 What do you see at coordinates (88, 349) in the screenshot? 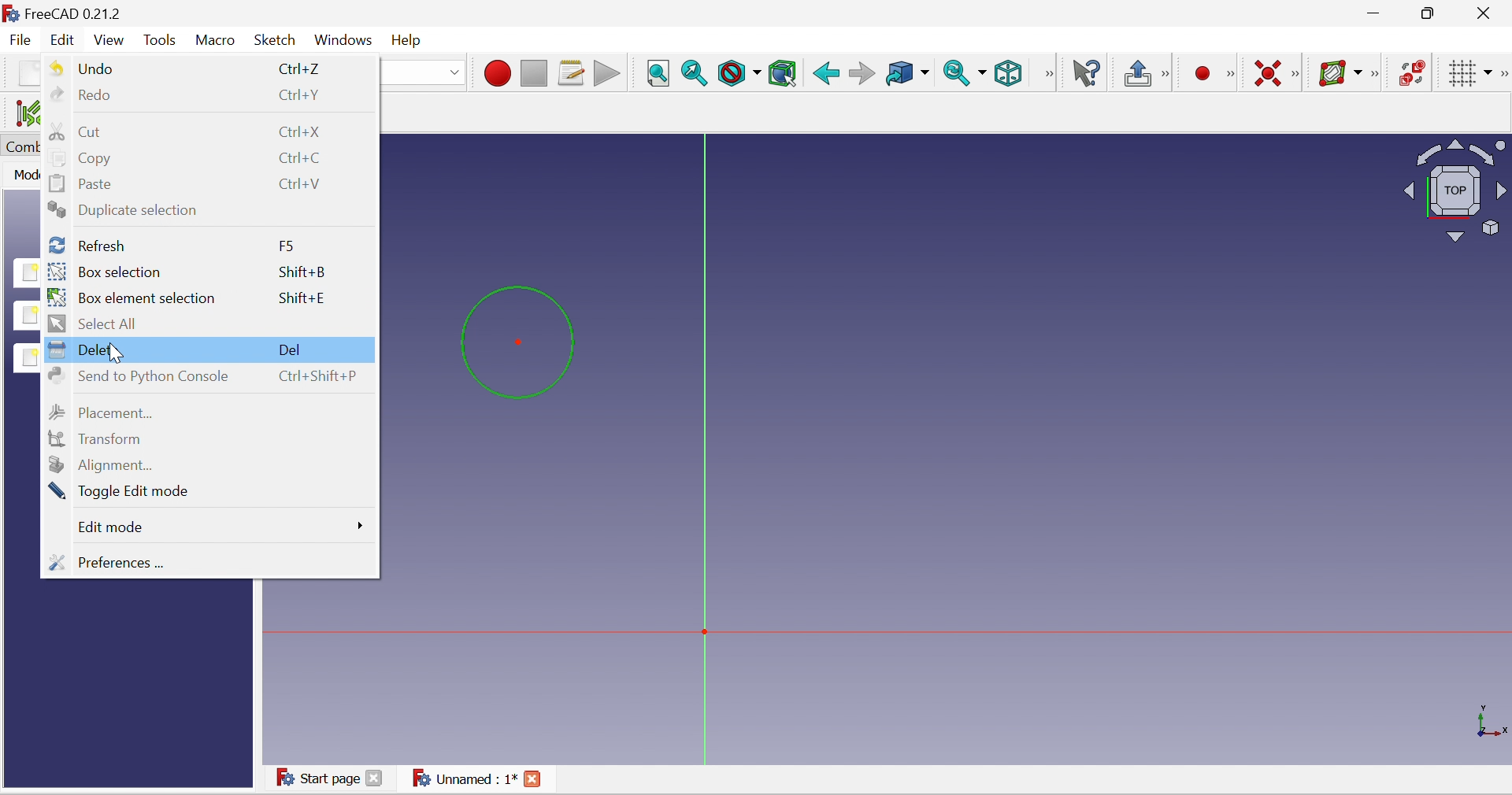
I see `Delete` at bounding box center [88, 349].